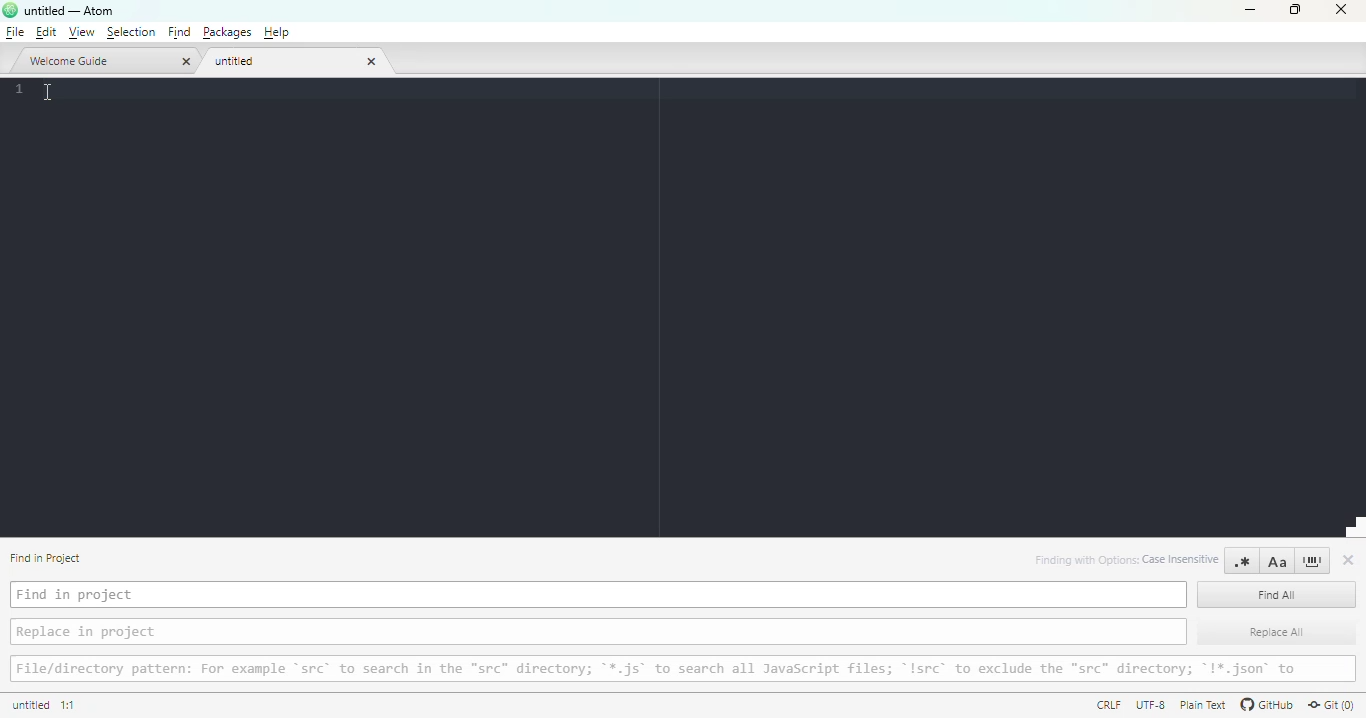  What do you see at coordinates (1242, 561) in the screenshot?
I see `use regex` at bounding box center [1242, 561].